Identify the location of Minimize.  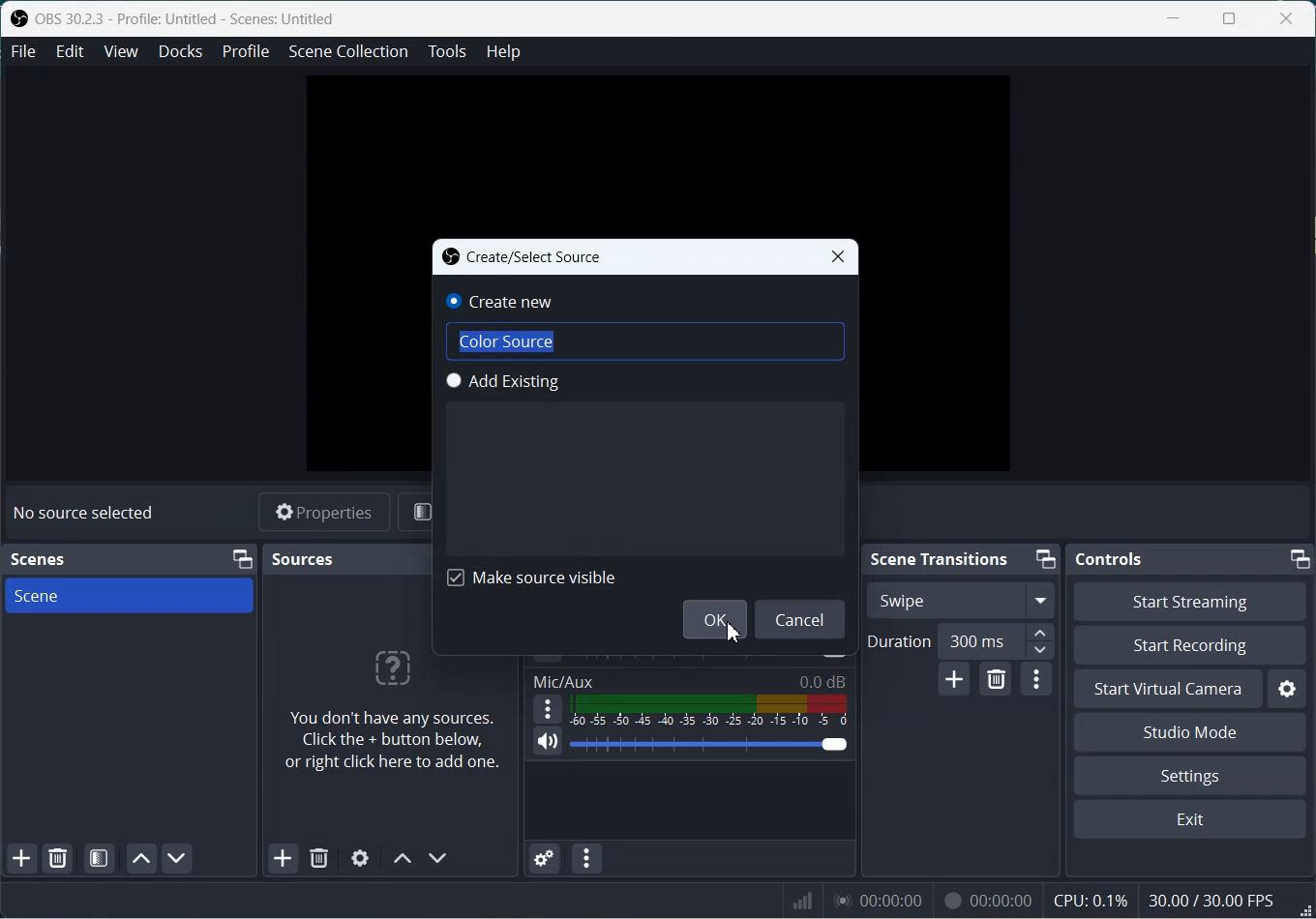
(1301, 558).